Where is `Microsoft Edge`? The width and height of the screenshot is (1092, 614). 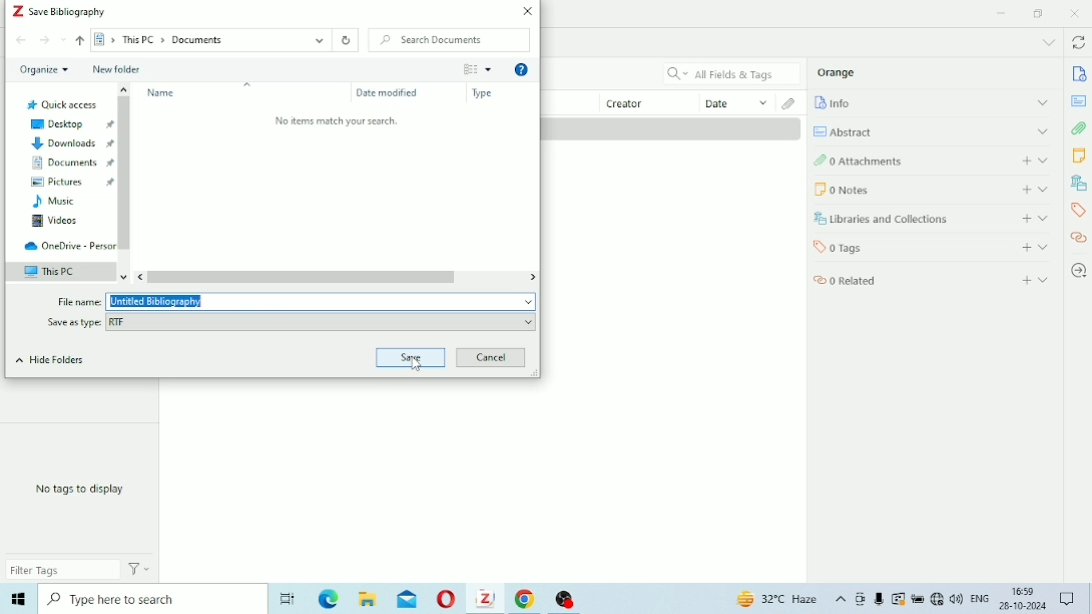 Microsoft Edge is located at coordinates (330, 600).